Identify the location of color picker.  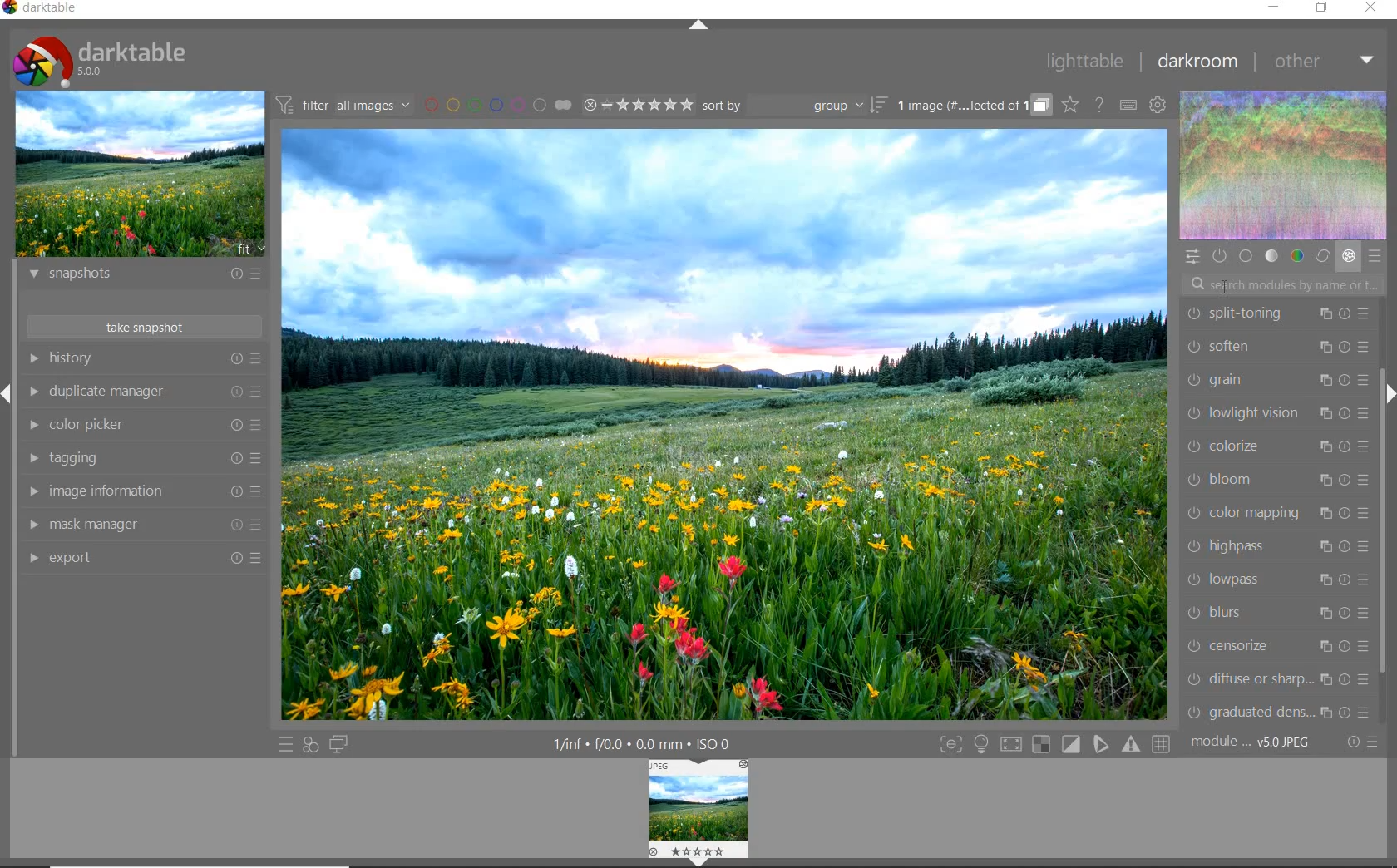
(144, 424).